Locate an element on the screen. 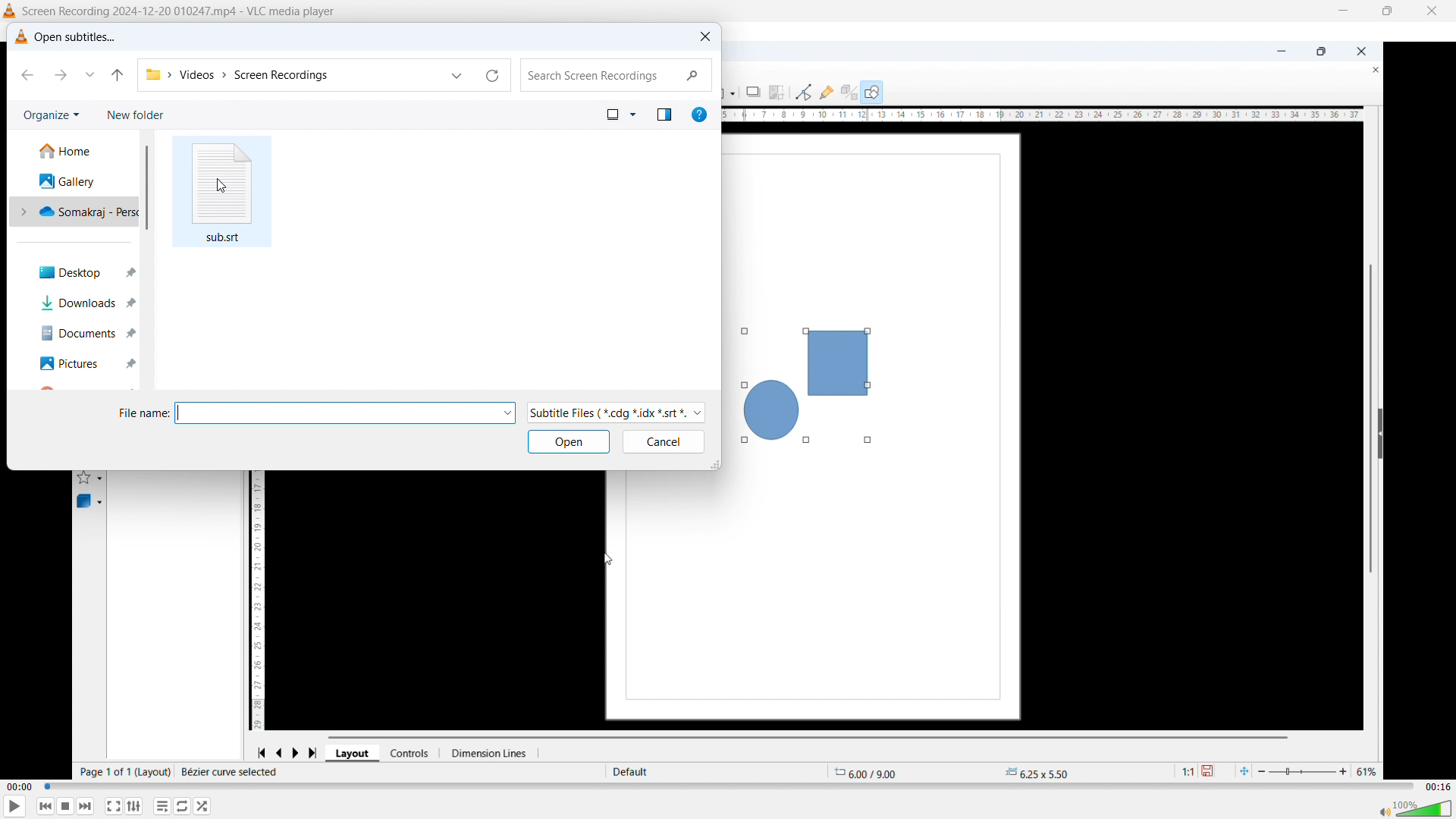 The image size is (1456, 819). bezier curve selected is located at coordinates (230, 772).